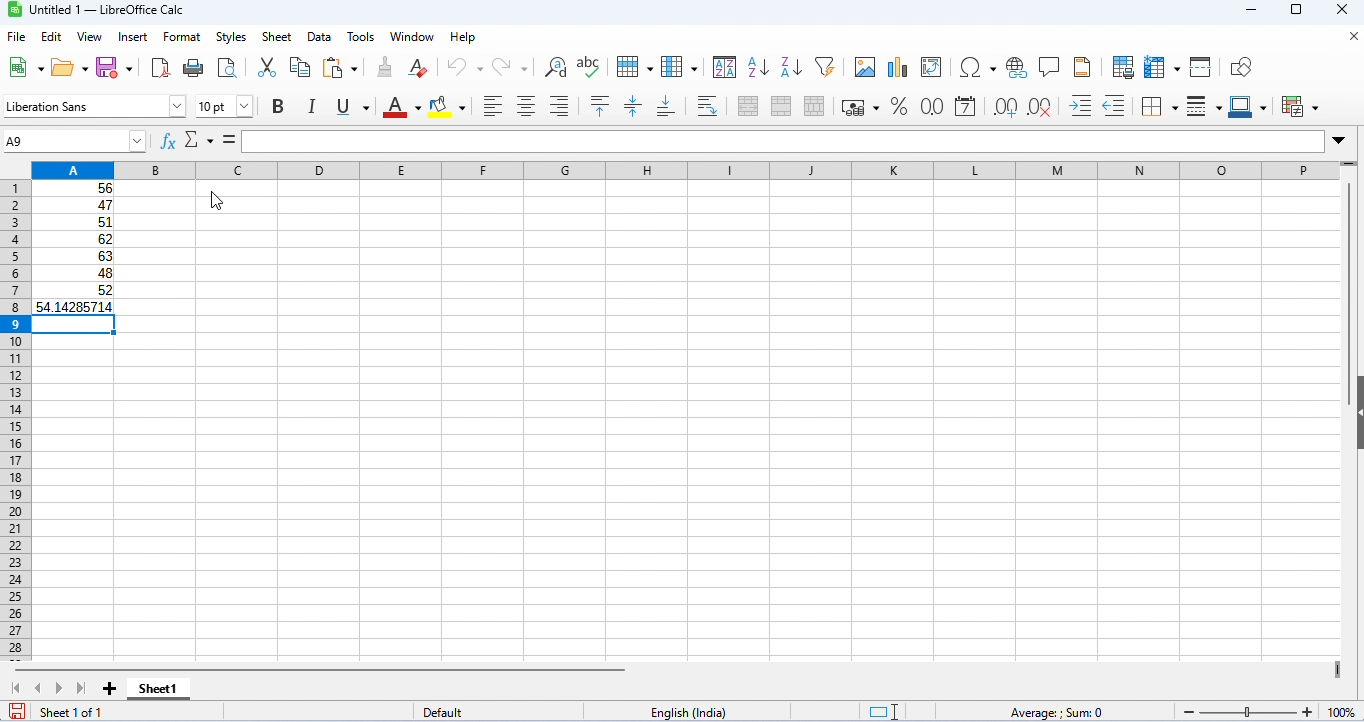 The width and height of the screenshot is (1364, 722). I want to click on sort, so click(725, 66).